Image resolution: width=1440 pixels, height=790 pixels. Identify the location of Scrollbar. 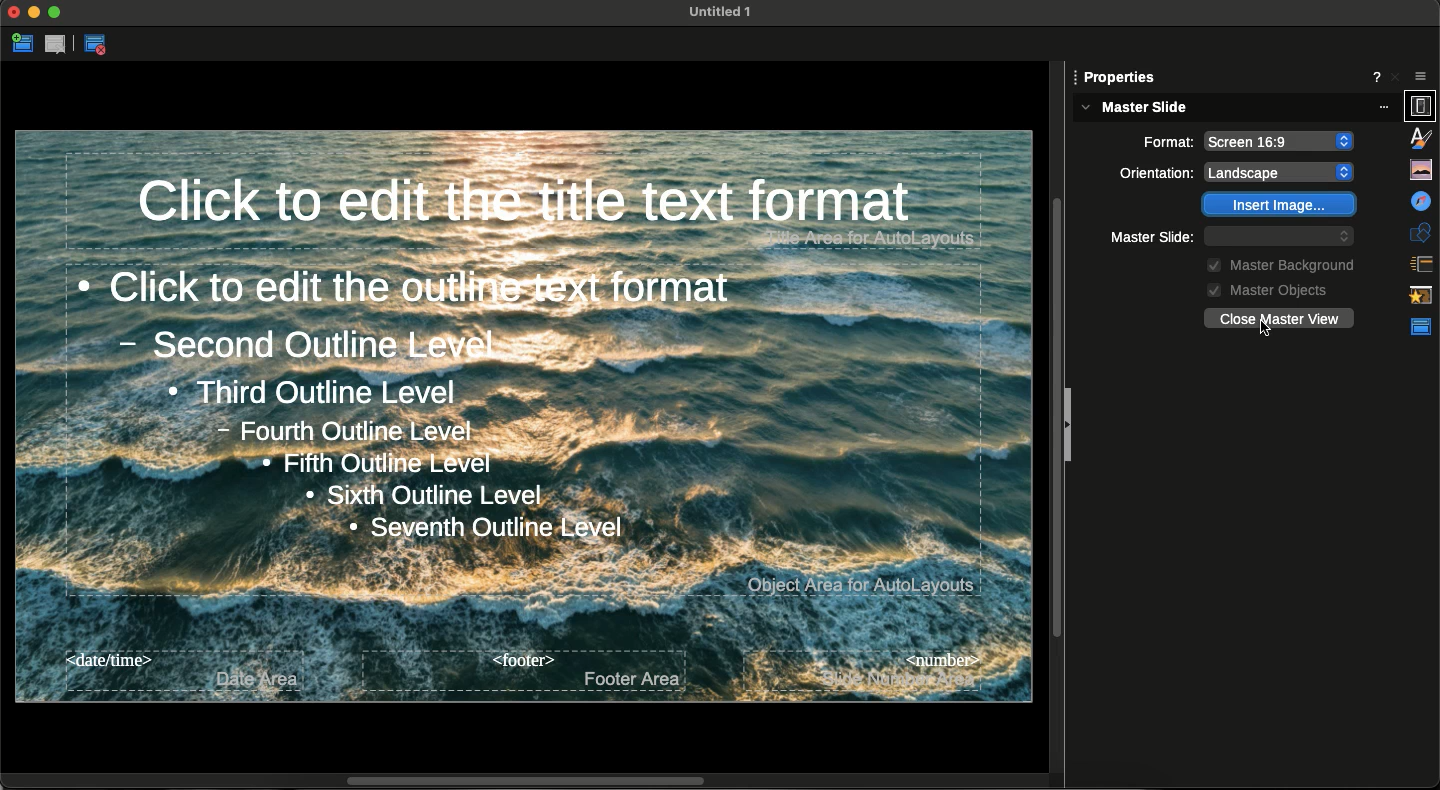
(534, 779).